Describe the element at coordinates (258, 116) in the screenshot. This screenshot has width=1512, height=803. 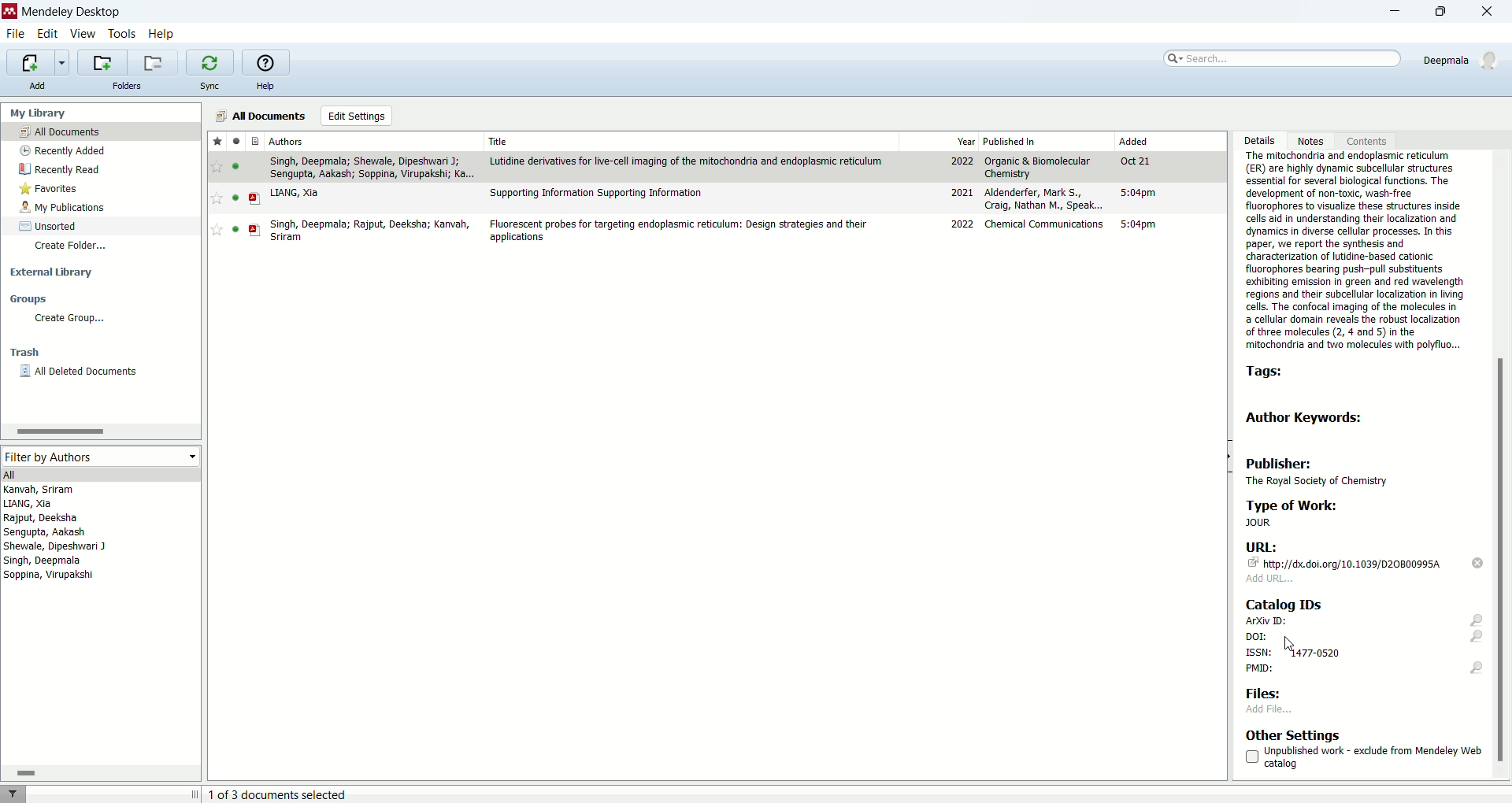
I see `all documents` at that location.